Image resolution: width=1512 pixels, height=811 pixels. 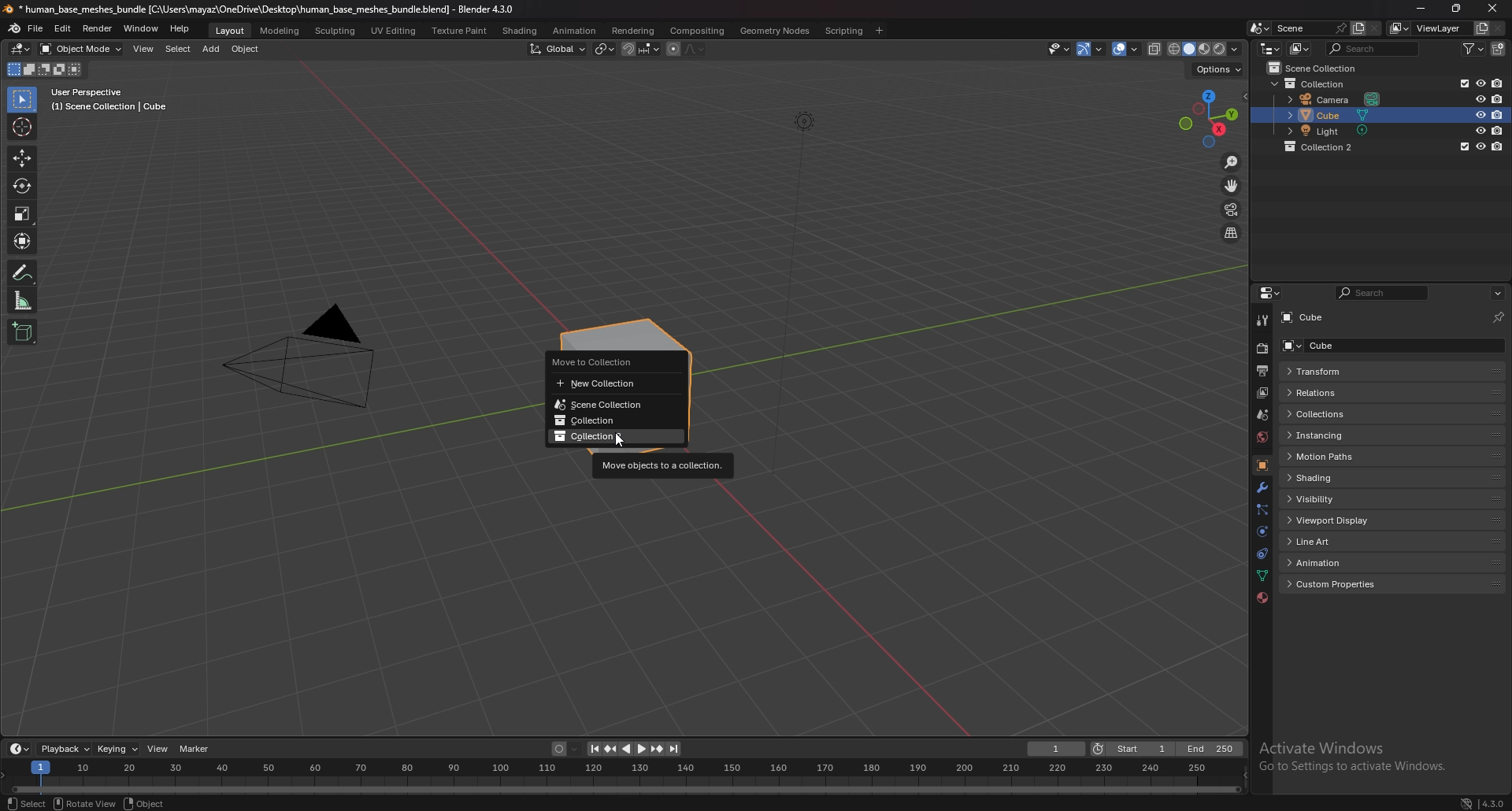 I want to click on texture paint, so click(x=461, y=31).